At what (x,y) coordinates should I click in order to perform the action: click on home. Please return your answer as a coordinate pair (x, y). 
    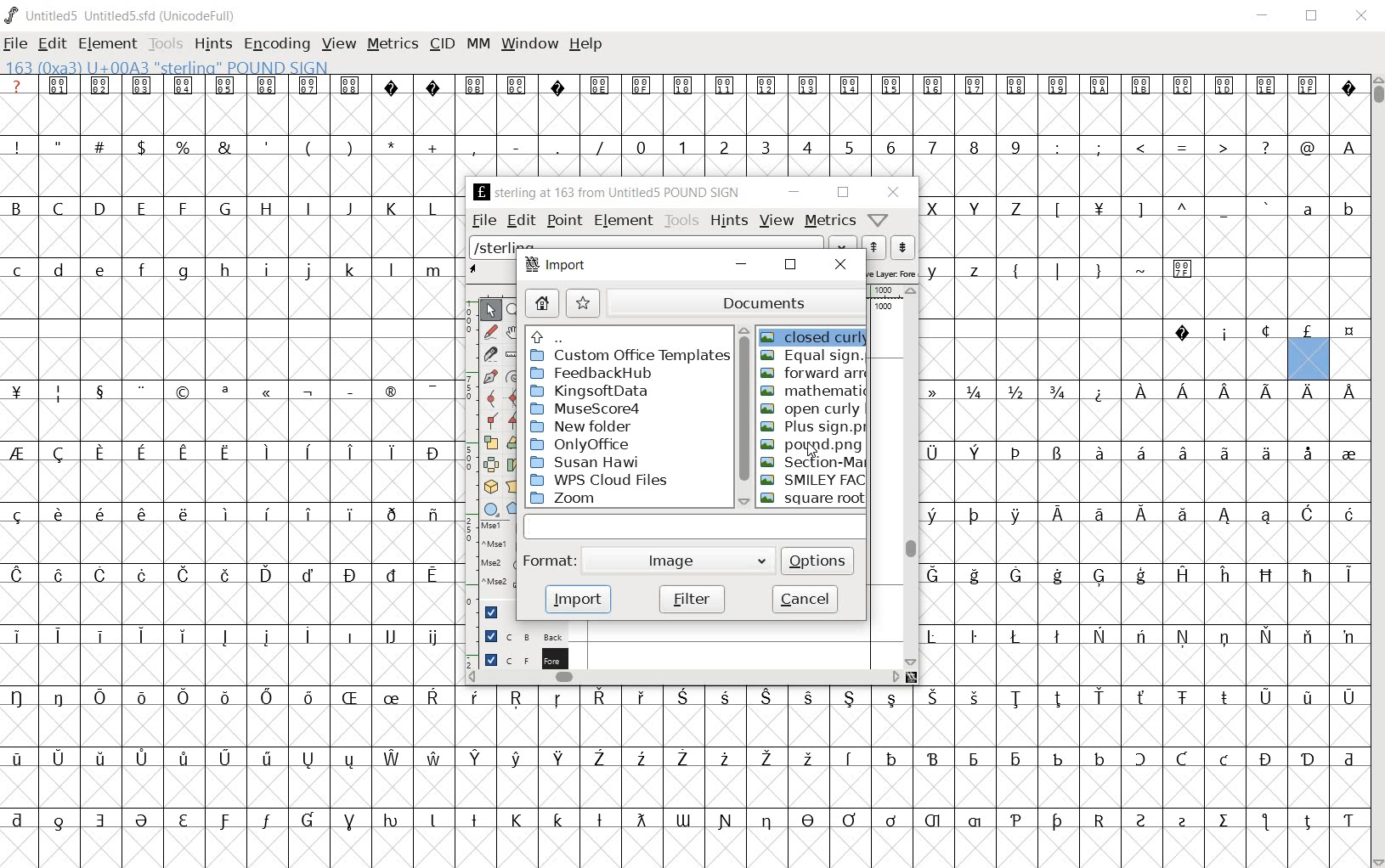
    Looking at the image, I should click on (546, 304).